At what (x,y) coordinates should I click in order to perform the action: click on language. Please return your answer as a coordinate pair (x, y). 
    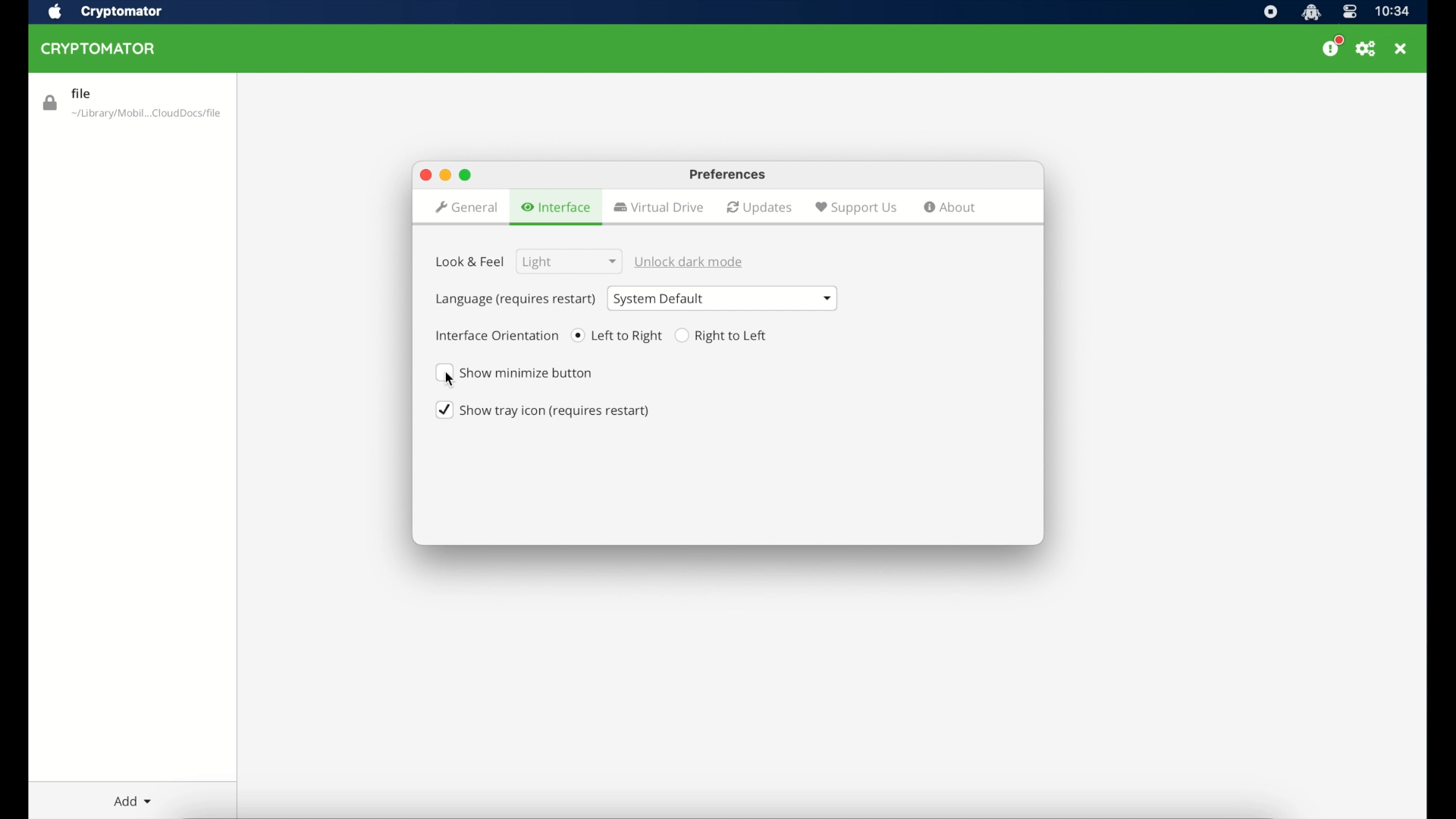
    Looking at the image, I should click on (515, 300).